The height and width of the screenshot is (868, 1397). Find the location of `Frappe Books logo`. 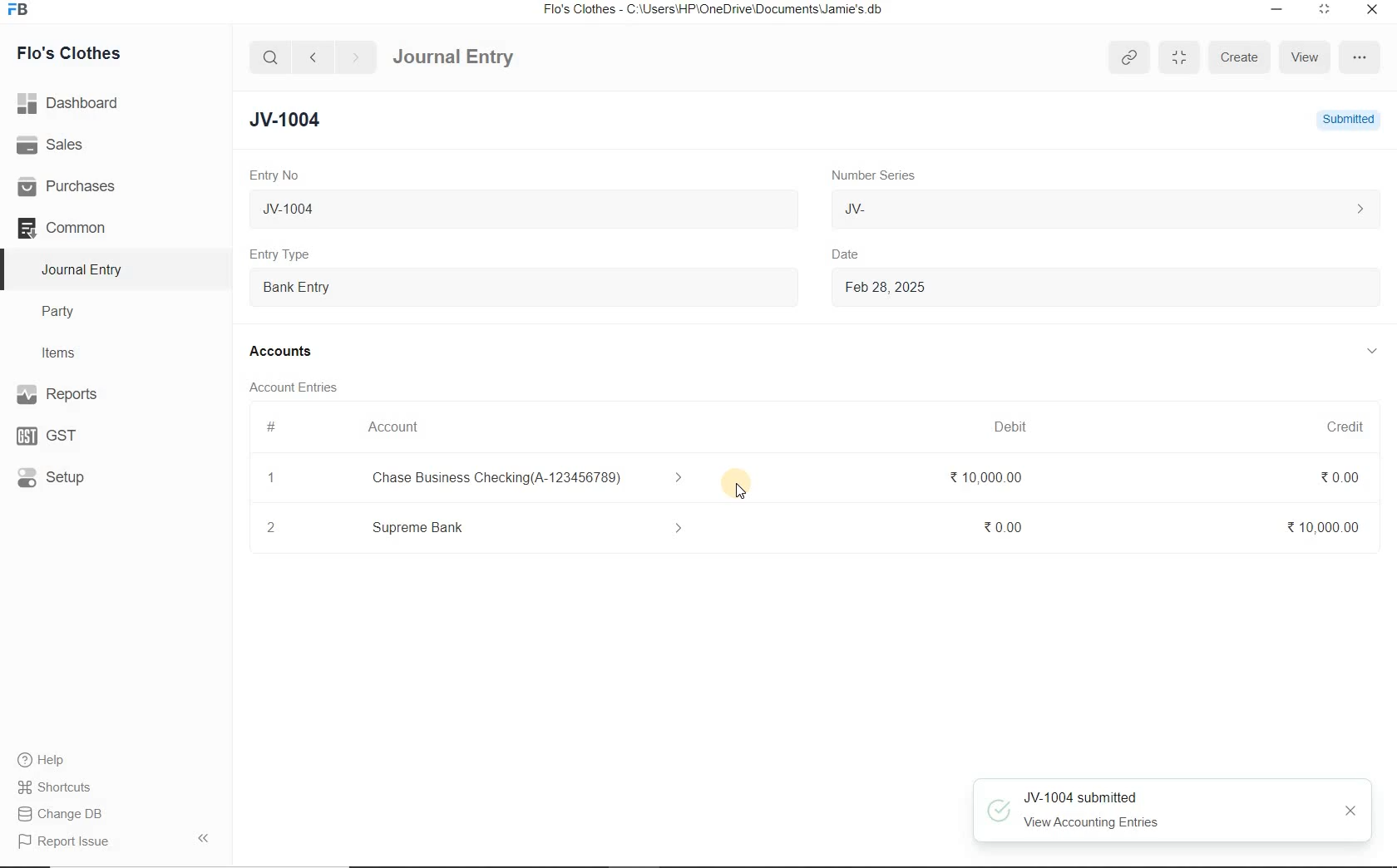

Frappe Books logo is located at coordinates (22, 12).